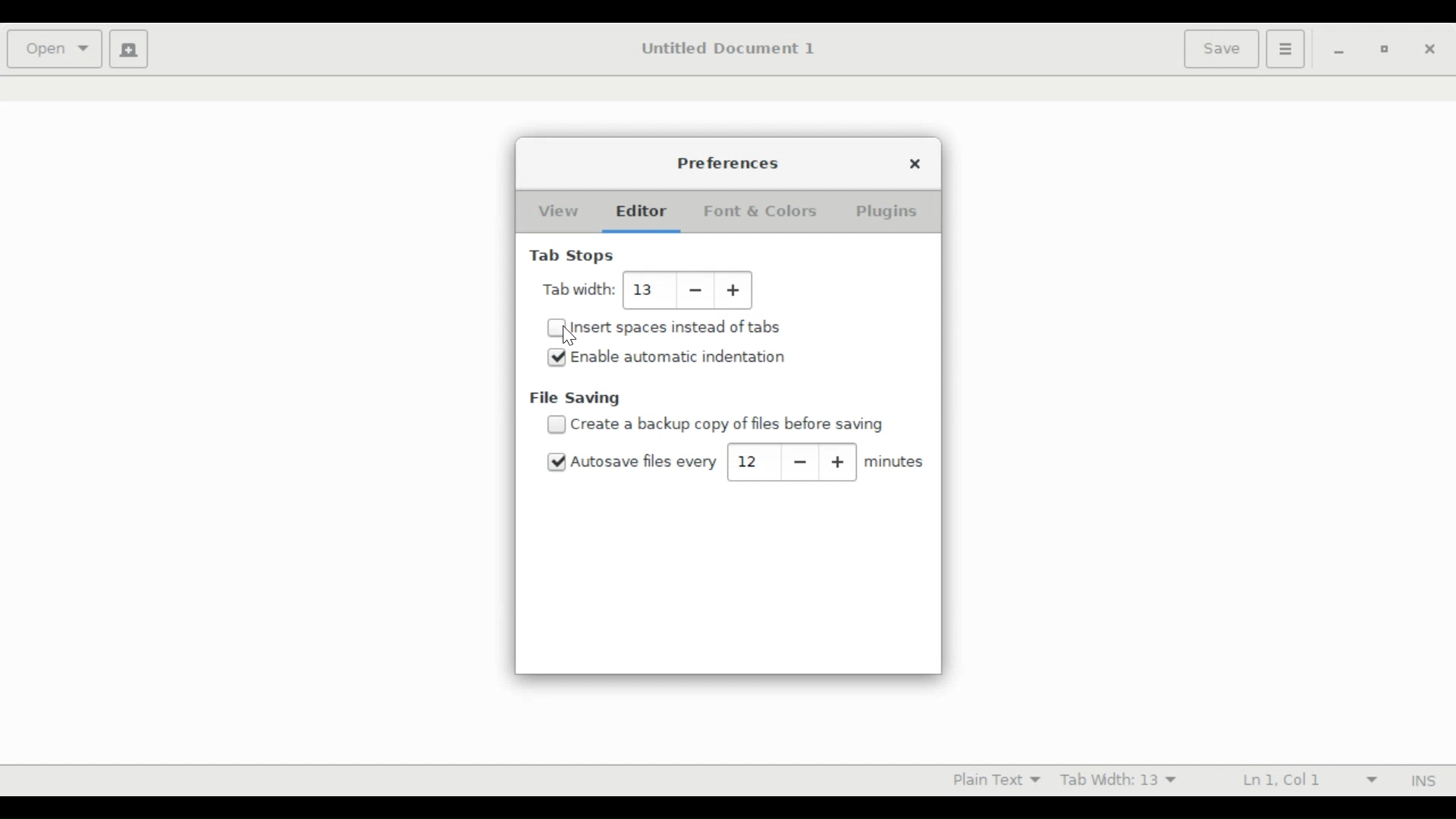 Image resolution: width=1456 pixels, height=819 pixels. Describe the element at coordinates (752, 461) in the screenshot. I see `12` at that location.